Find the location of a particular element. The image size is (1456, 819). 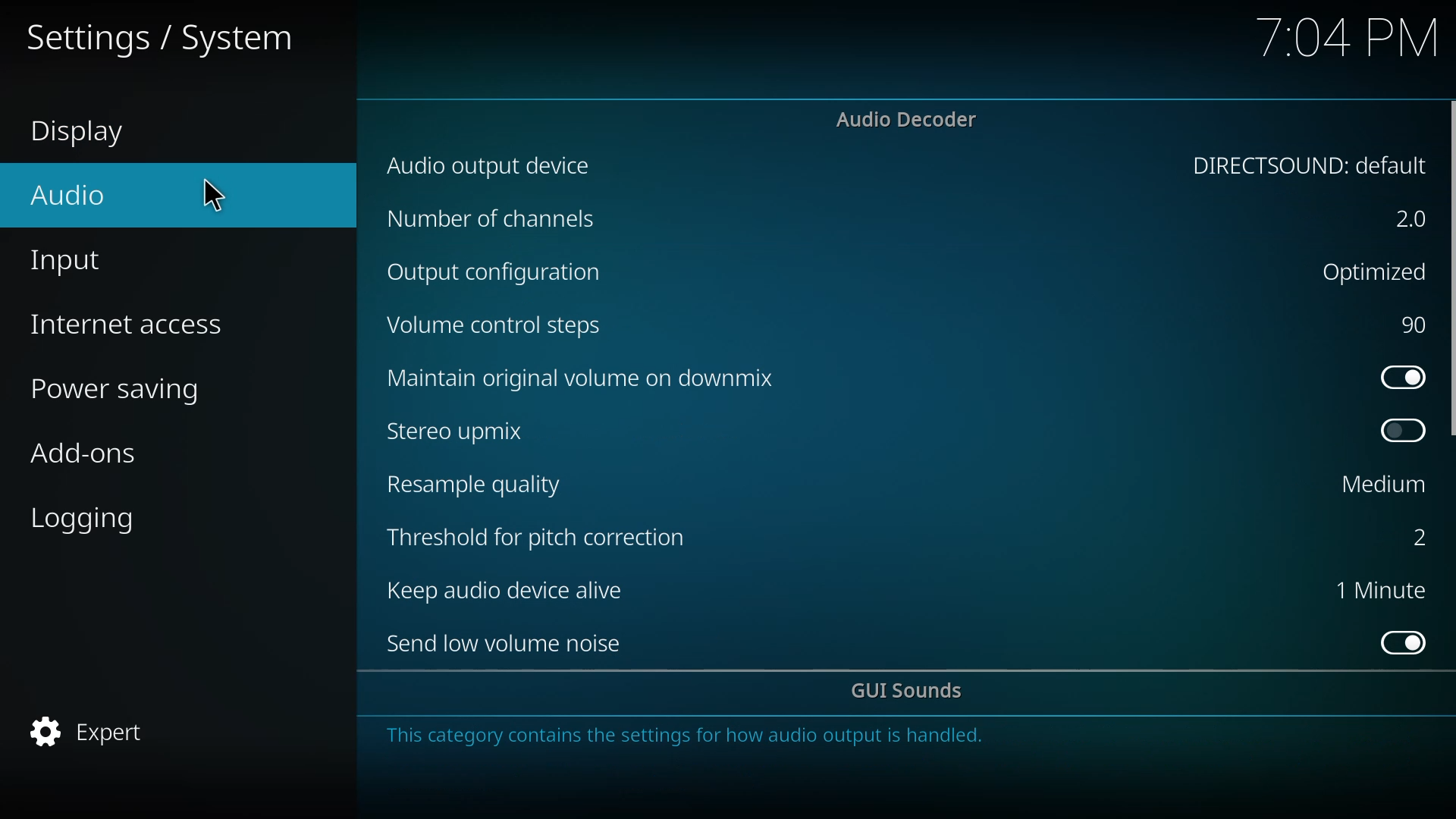

internet access is located at coordinates (130, 325).